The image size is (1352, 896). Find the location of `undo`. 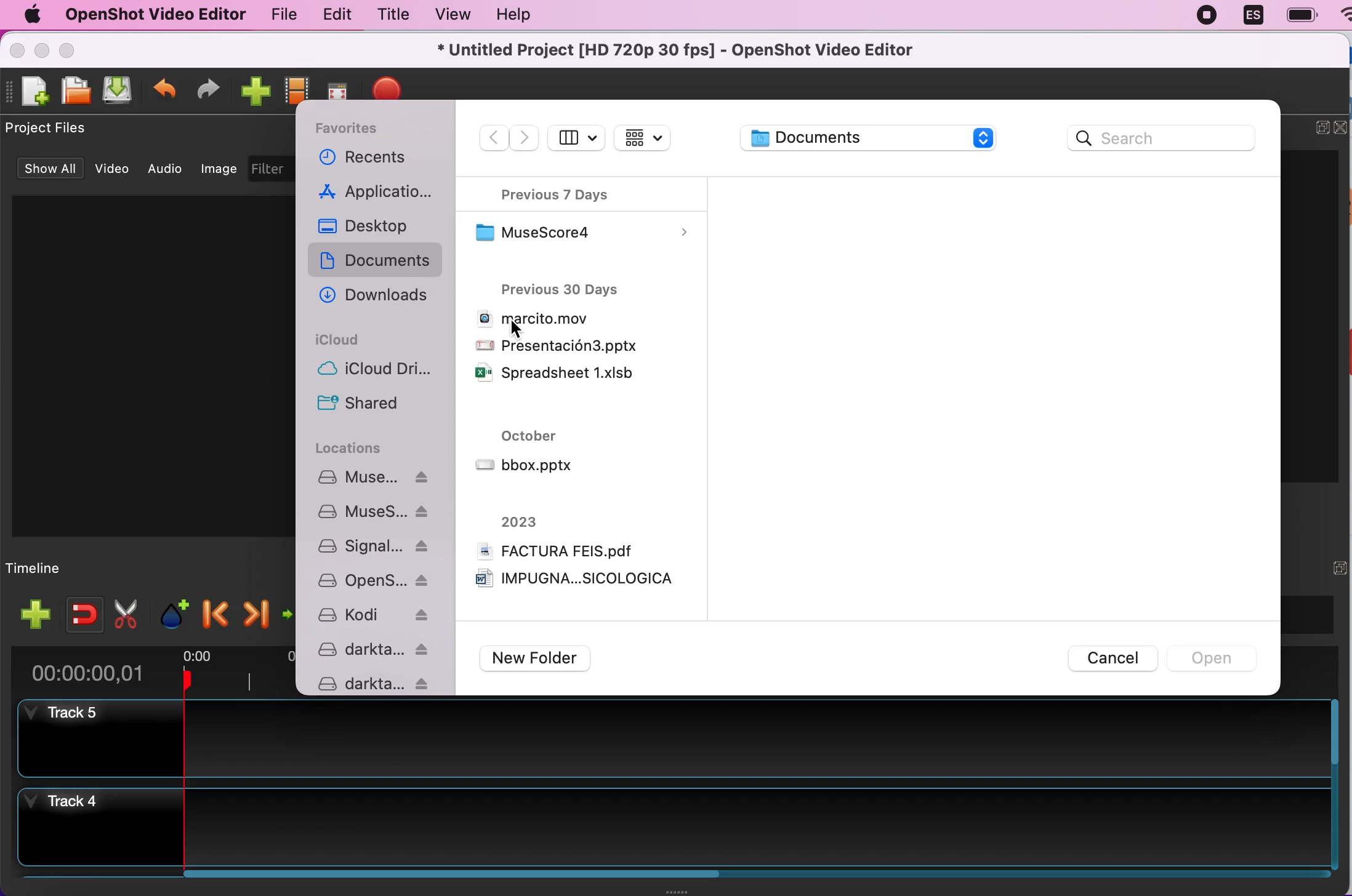

undo is located at coordinates (166, 92).